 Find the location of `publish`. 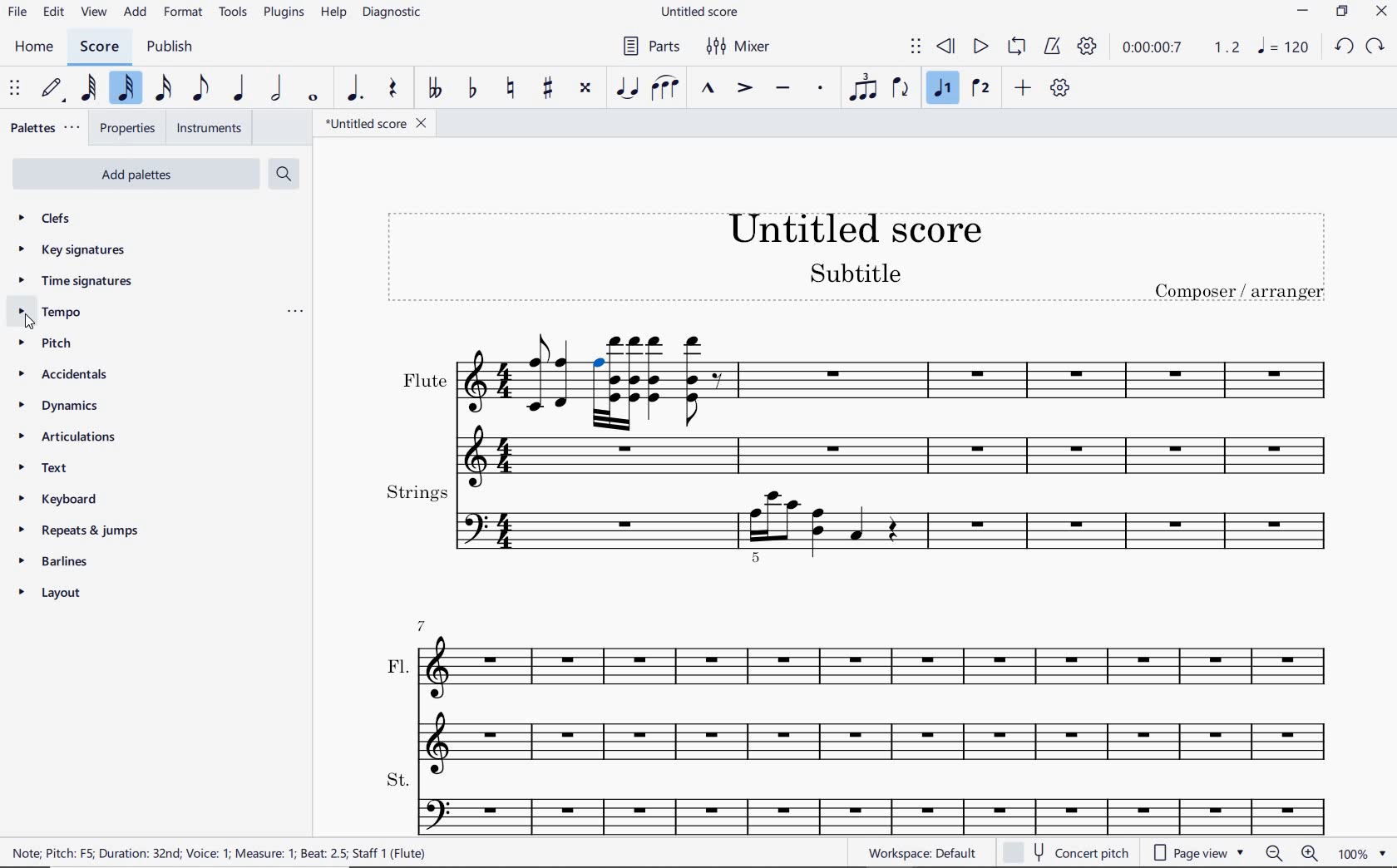

publish is located at coordinates (171, 47).